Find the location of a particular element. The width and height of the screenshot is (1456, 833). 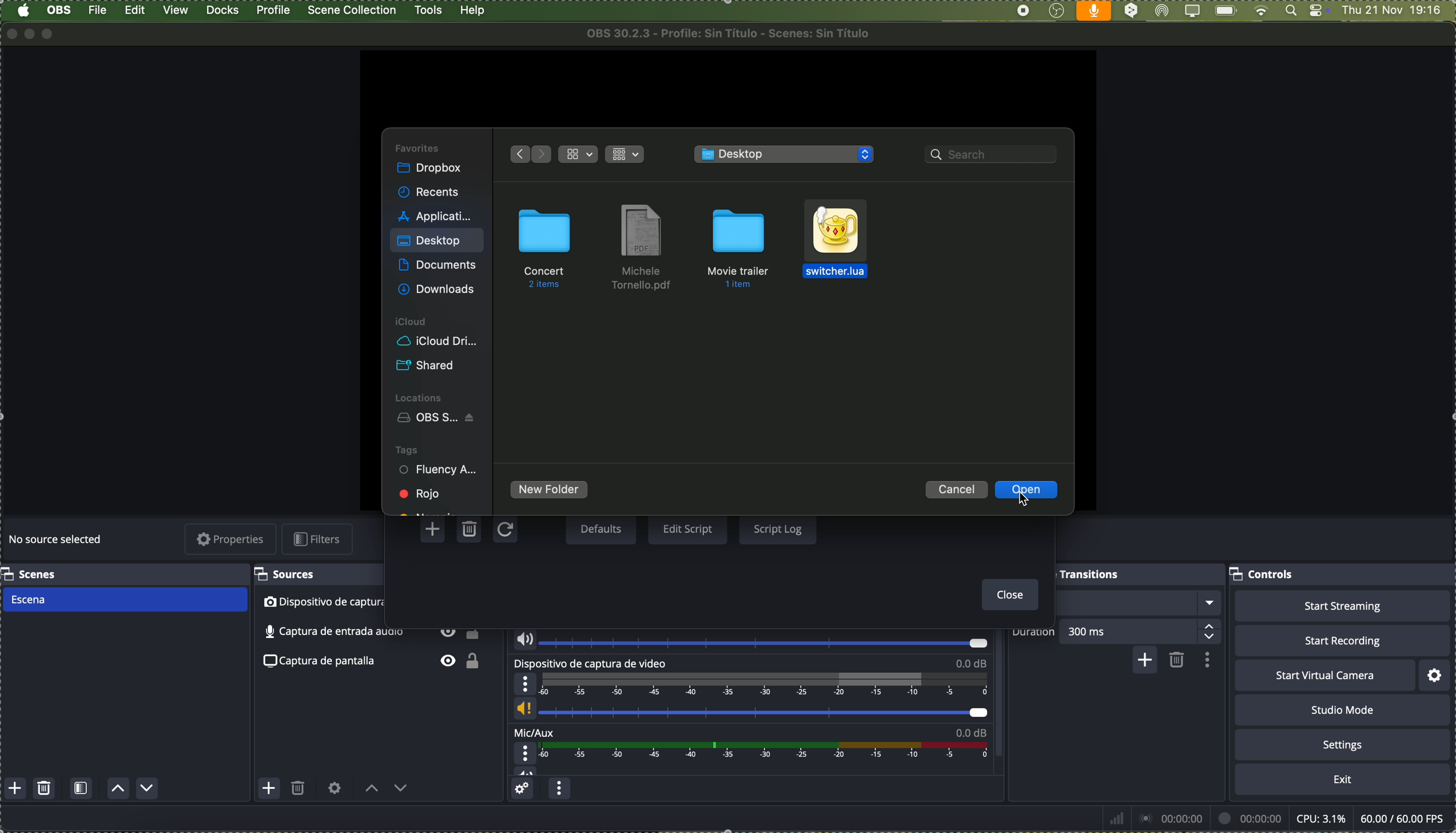

locations is located at coordinates (421, 396).